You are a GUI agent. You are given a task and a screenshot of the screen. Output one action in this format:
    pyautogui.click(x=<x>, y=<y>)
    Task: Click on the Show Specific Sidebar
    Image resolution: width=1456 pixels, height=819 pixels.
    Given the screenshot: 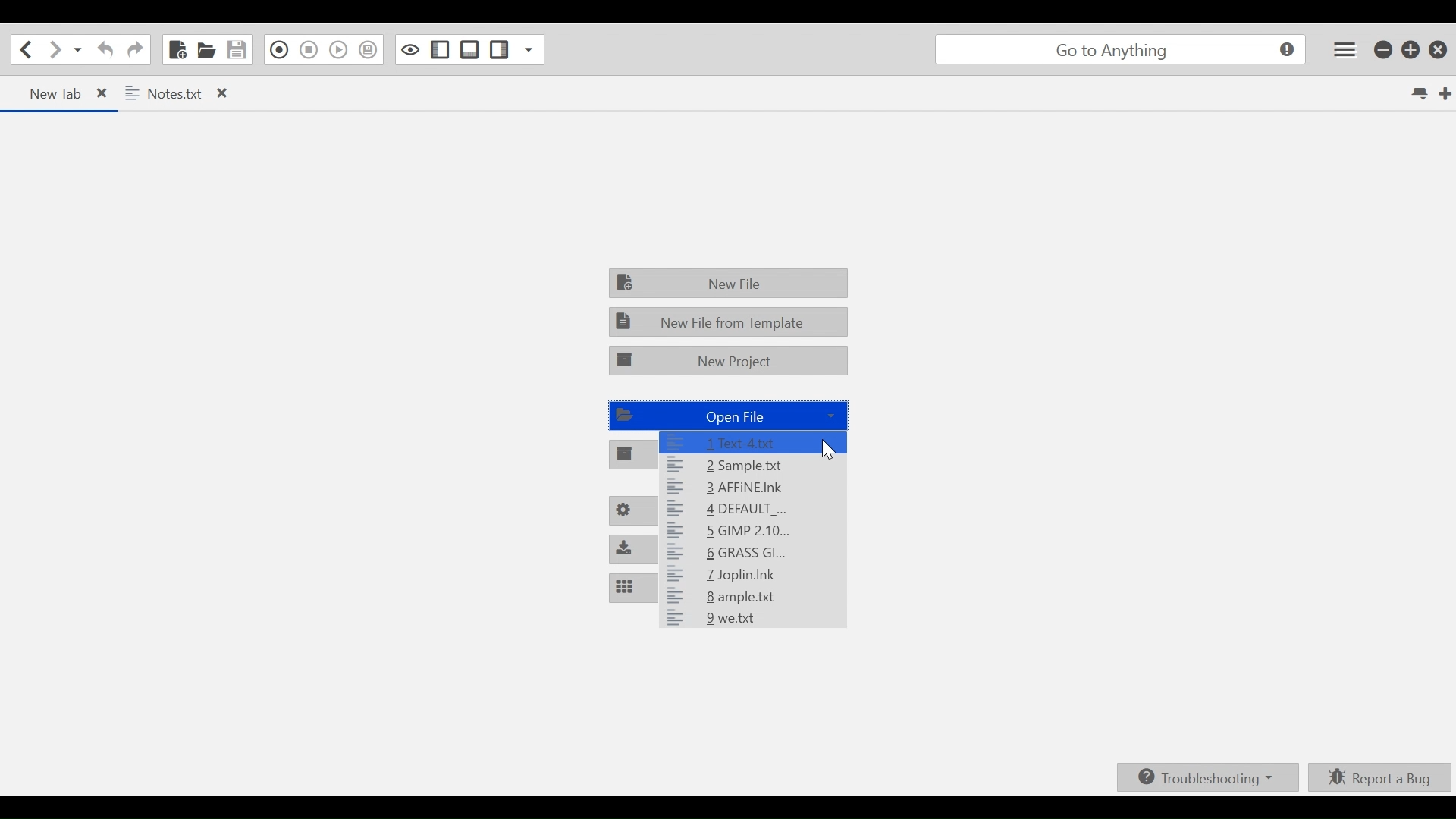 What is the action you would take?
    pyautogui.click(x=535, y=49)
    